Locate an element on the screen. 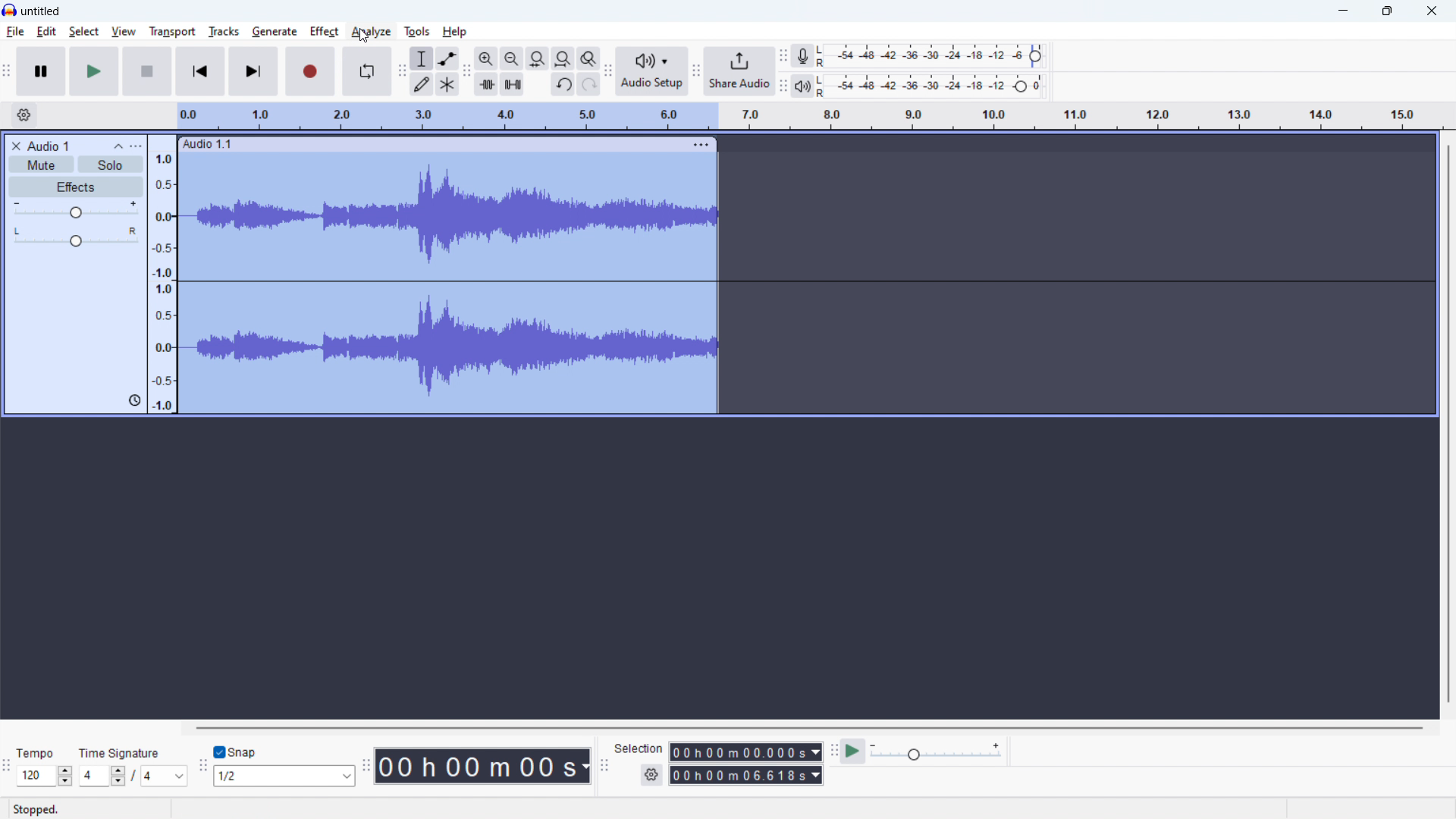 The image size is (1456, 819). time toolbar is located at coordinates (366, 770).